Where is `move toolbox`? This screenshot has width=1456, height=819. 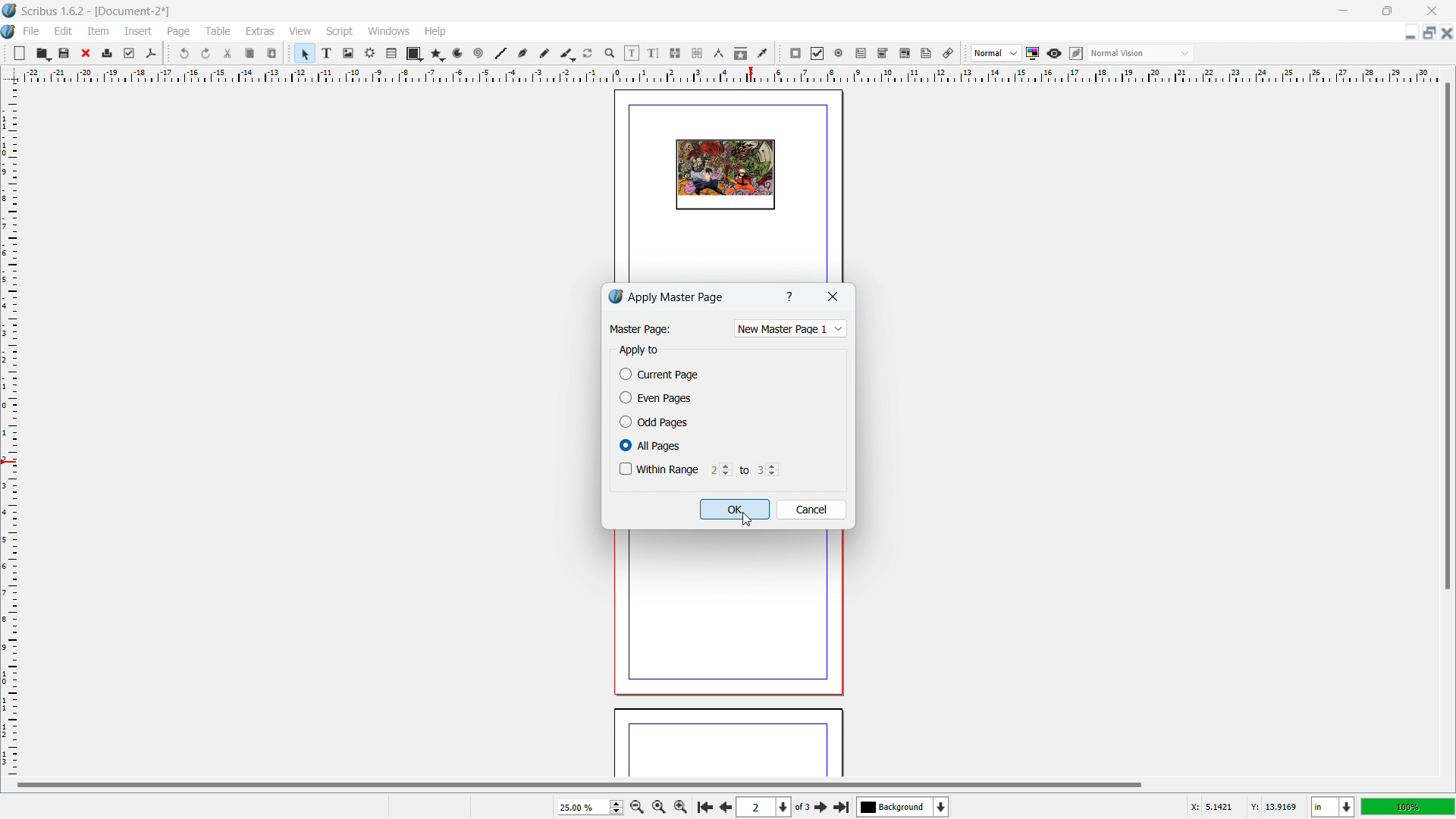 move toolbox is located at coordinates (780, 54).